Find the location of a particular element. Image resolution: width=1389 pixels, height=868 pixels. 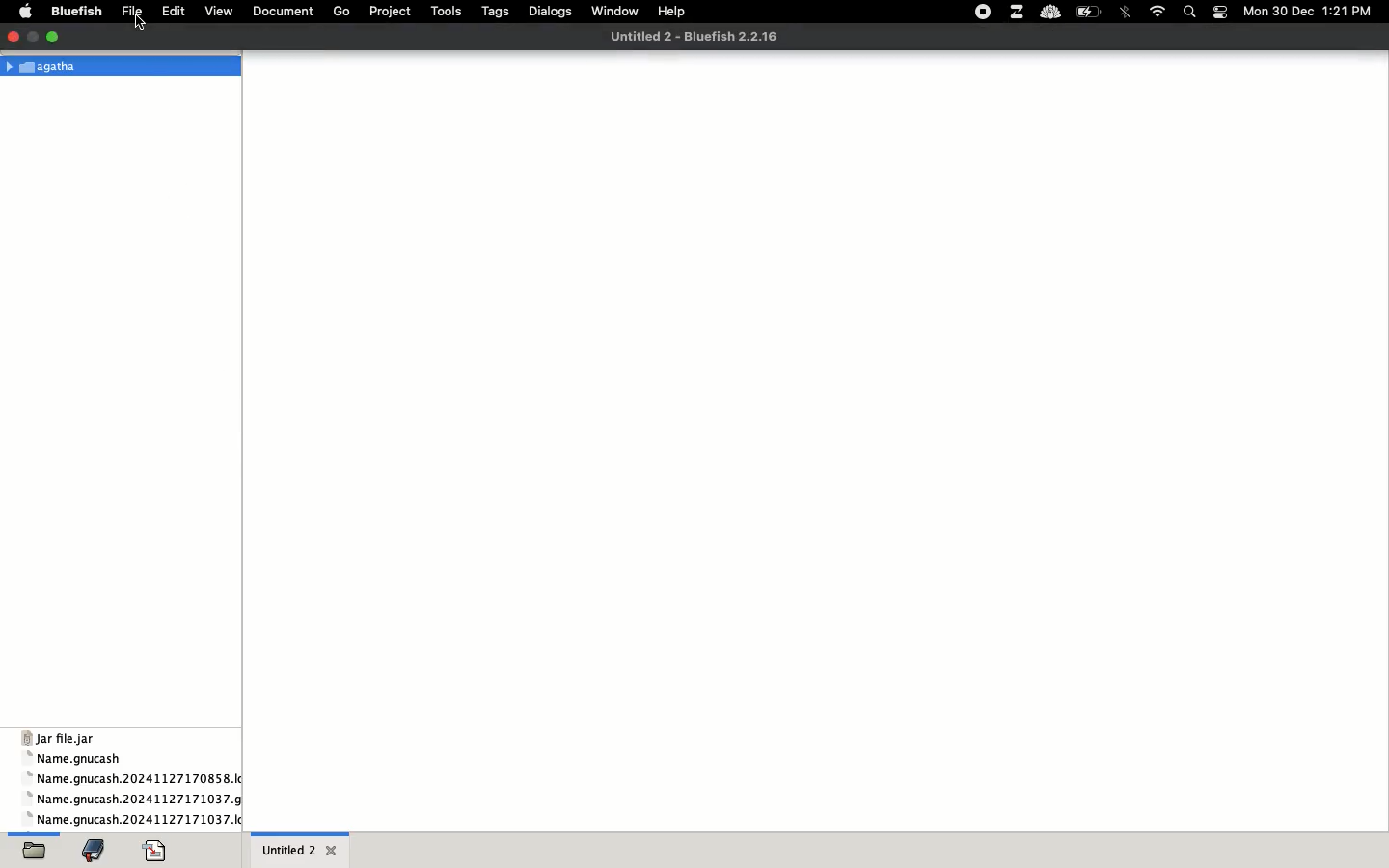

name is located at coordinates (134, 819).